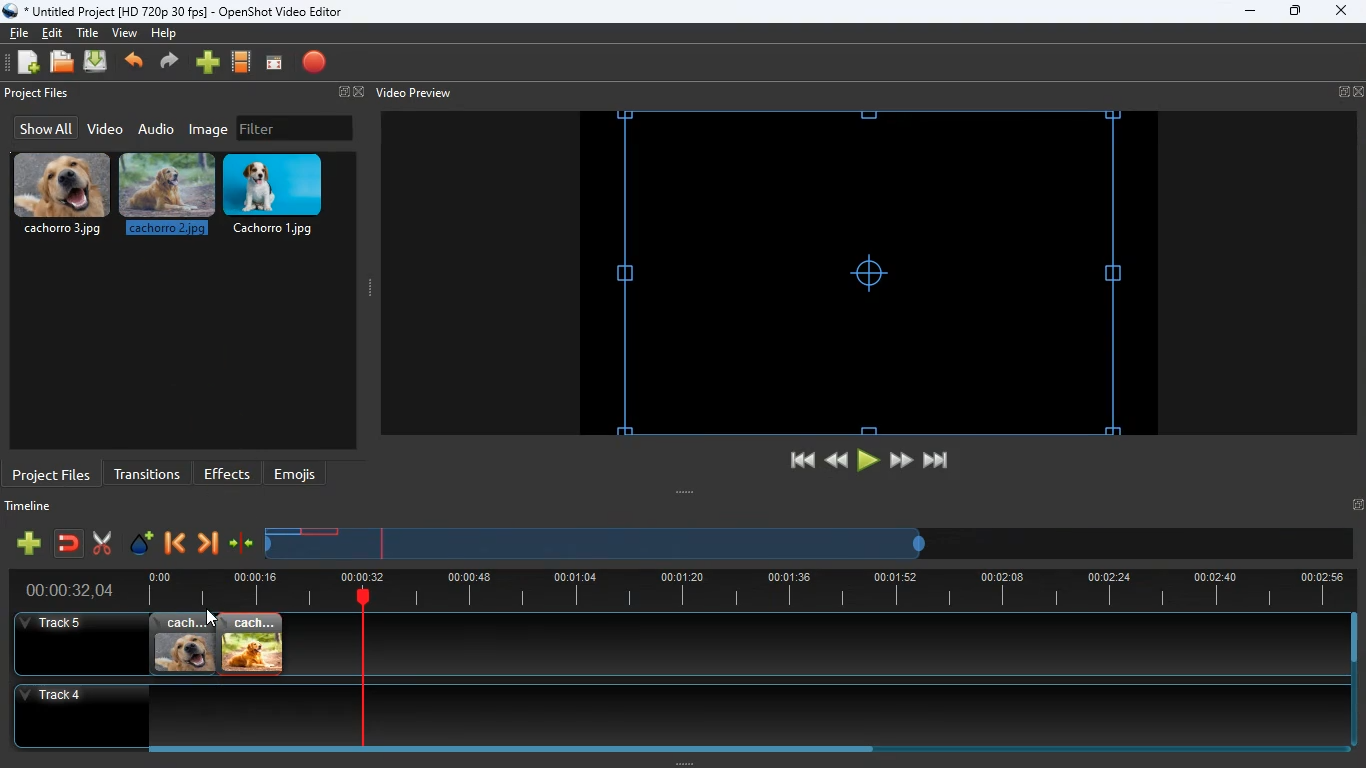 The width and height of the screenshot is (1366, 768). I want to click on track, so click(663, 715).